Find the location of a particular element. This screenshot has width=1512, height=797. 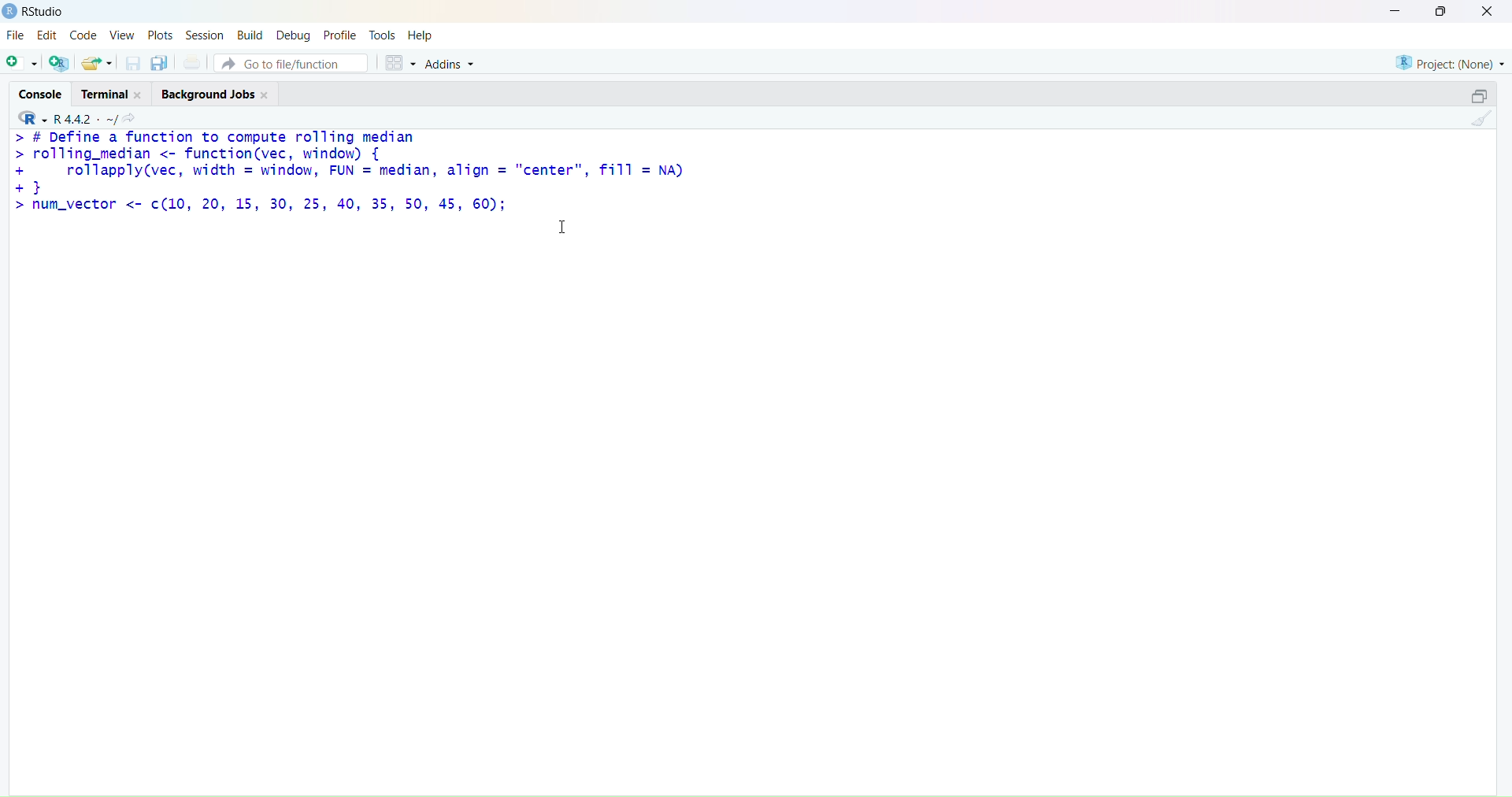

maximise is located at coordinates (1440, 11).